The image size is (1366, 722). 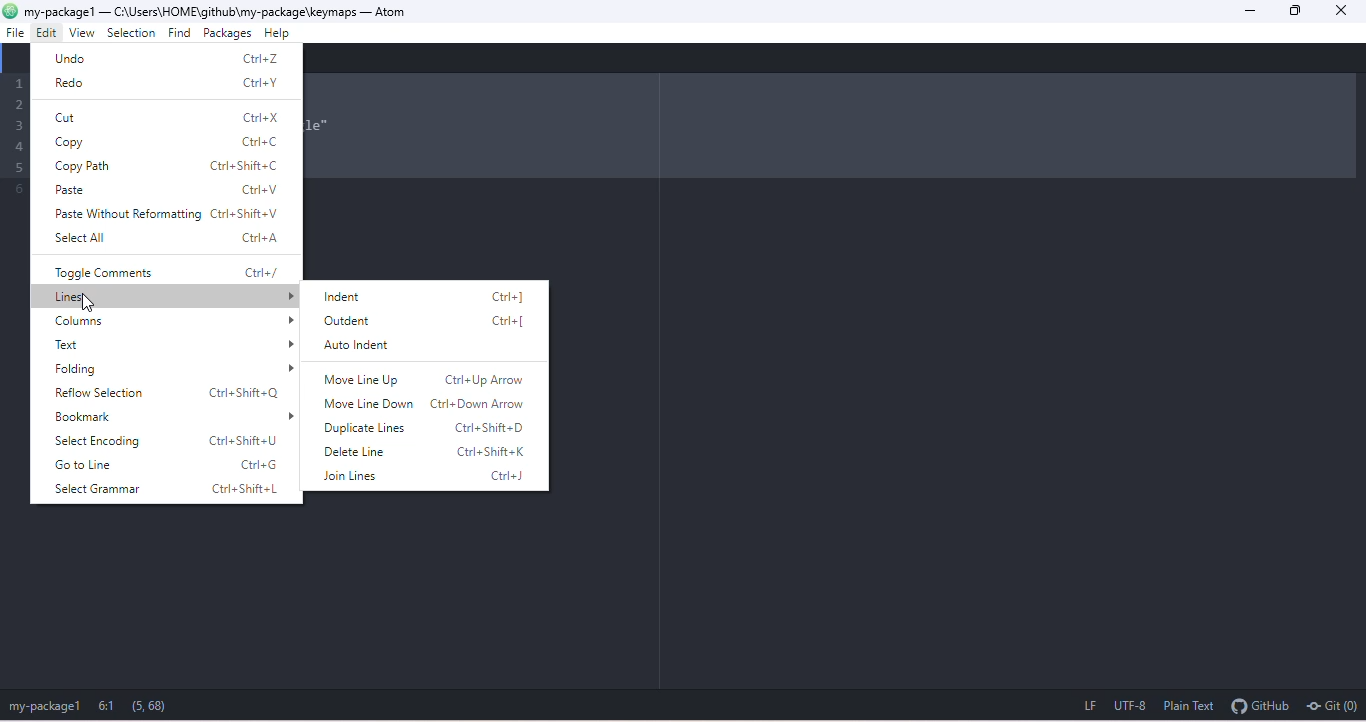 What do you see at coordinates (170, 346) in the screenshot?
I see `text` at bounding box center [170, 346].